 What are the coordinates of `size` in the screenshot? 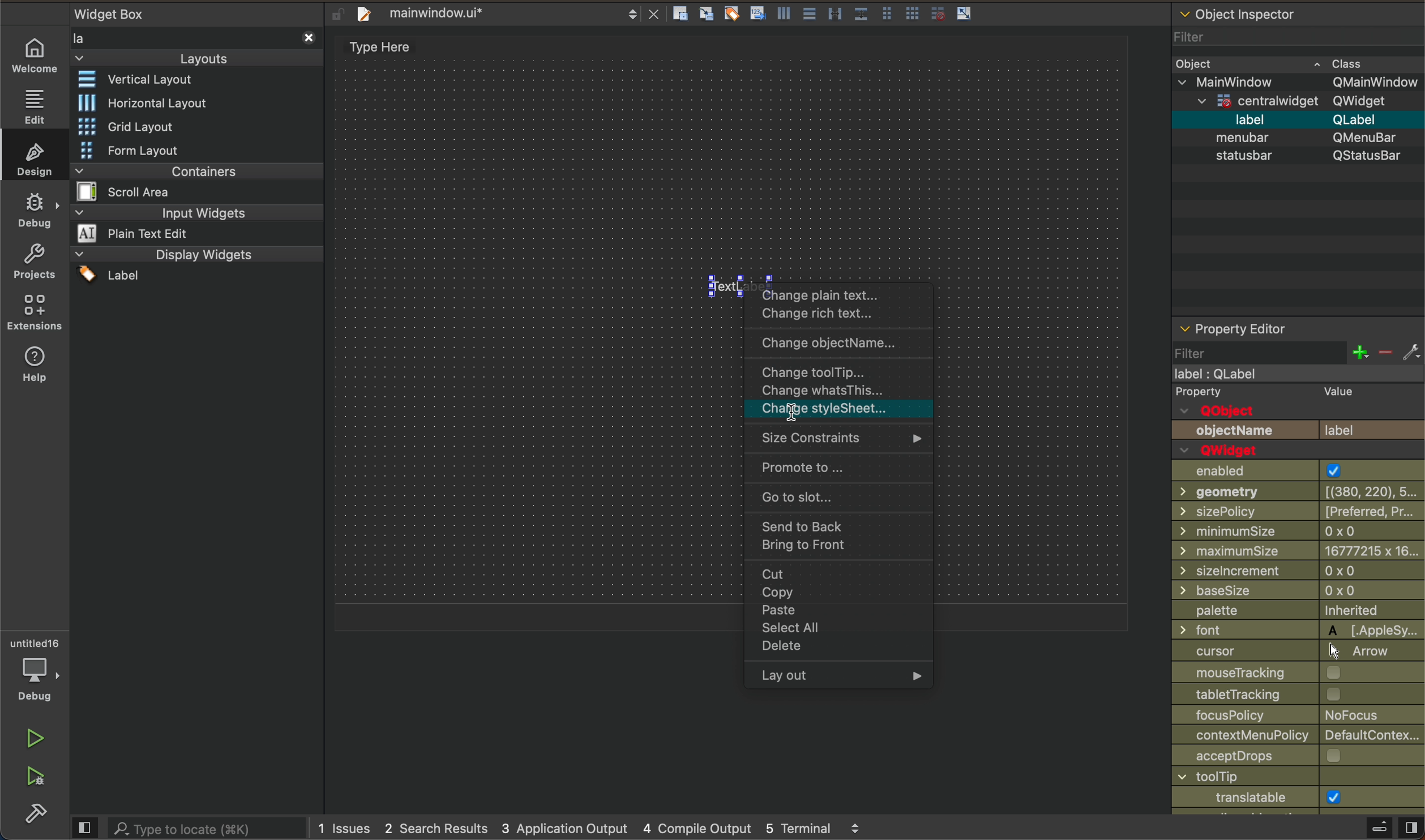 It's located at (1287, 533).